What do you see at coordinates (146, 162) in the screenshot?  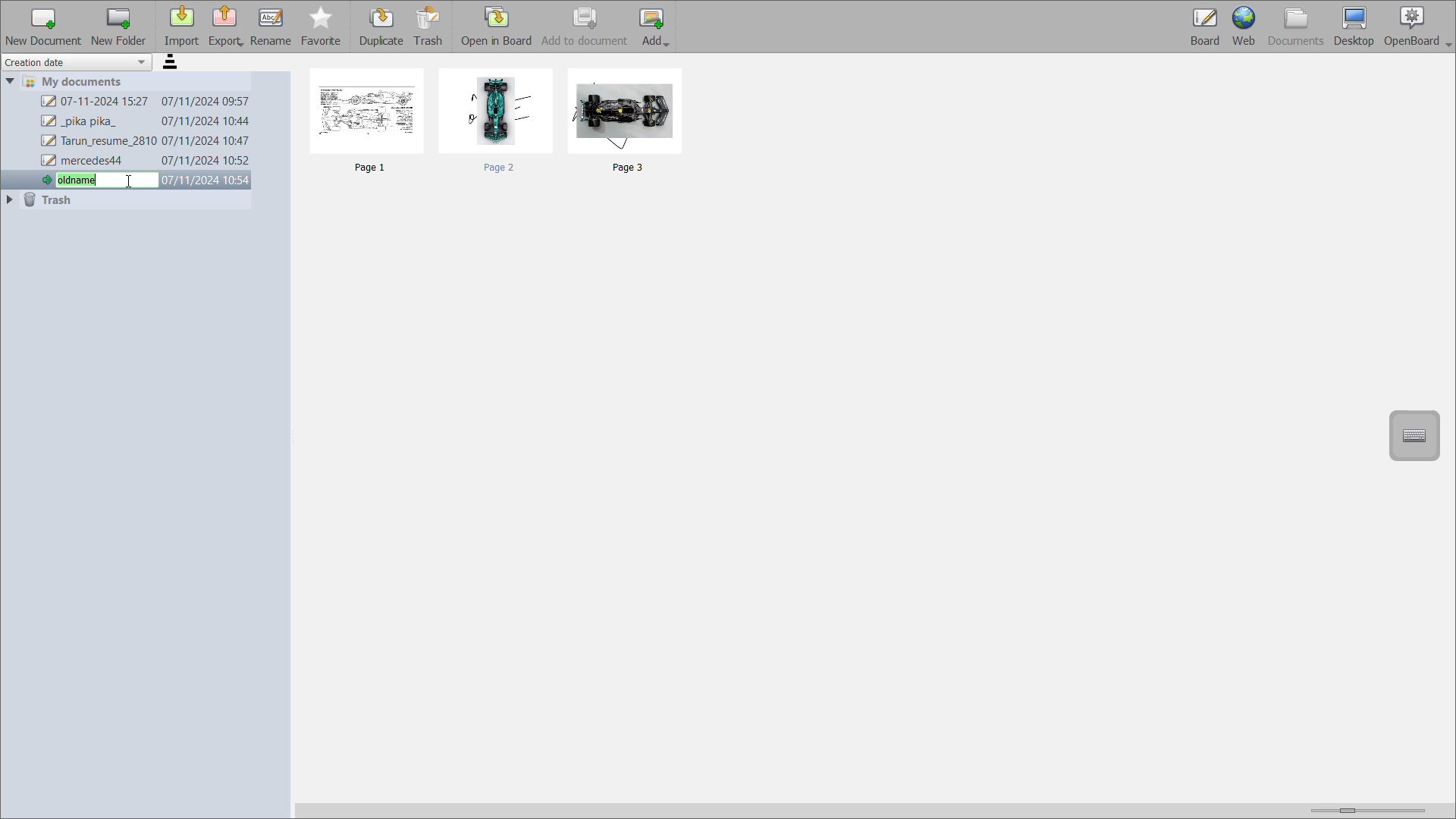 I see `mercedes44 07/11/2024 10:52` at bounding box center [146, 162].